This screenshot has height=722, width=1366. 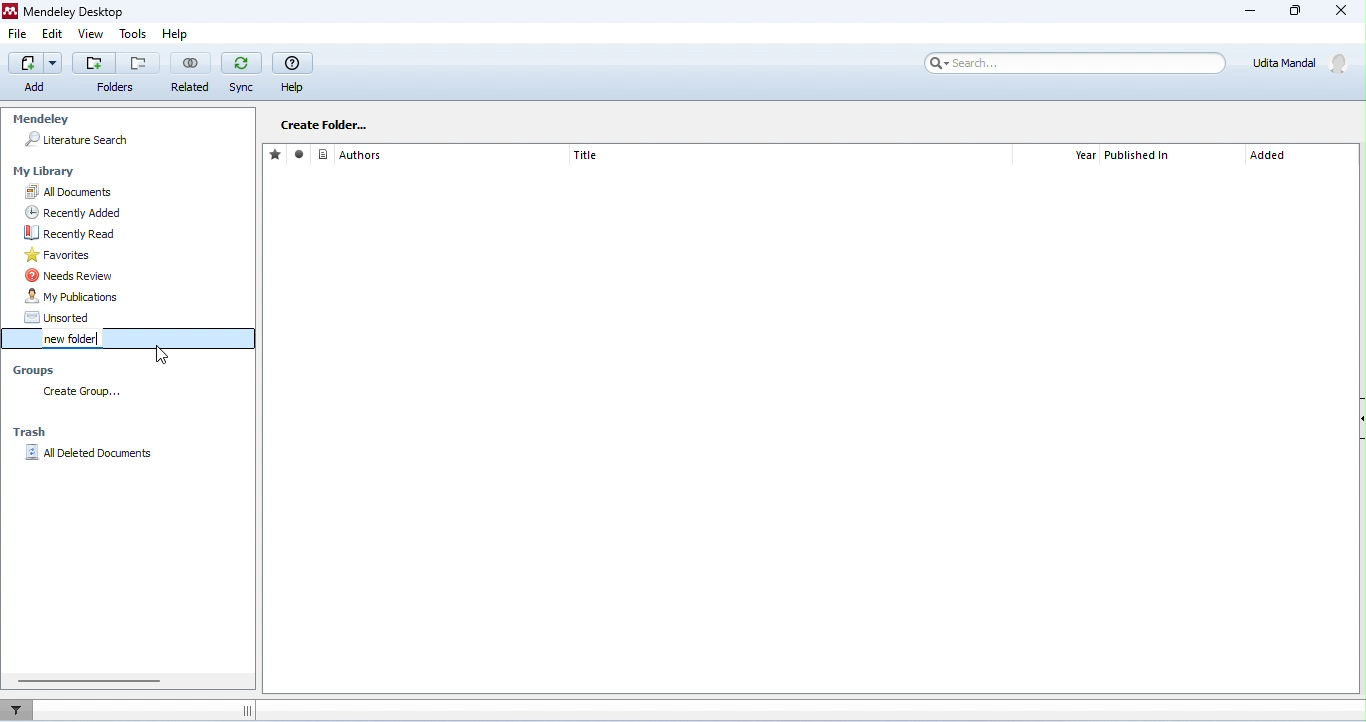 I want to click on show or hide document details, so click(x=1357, y=421).